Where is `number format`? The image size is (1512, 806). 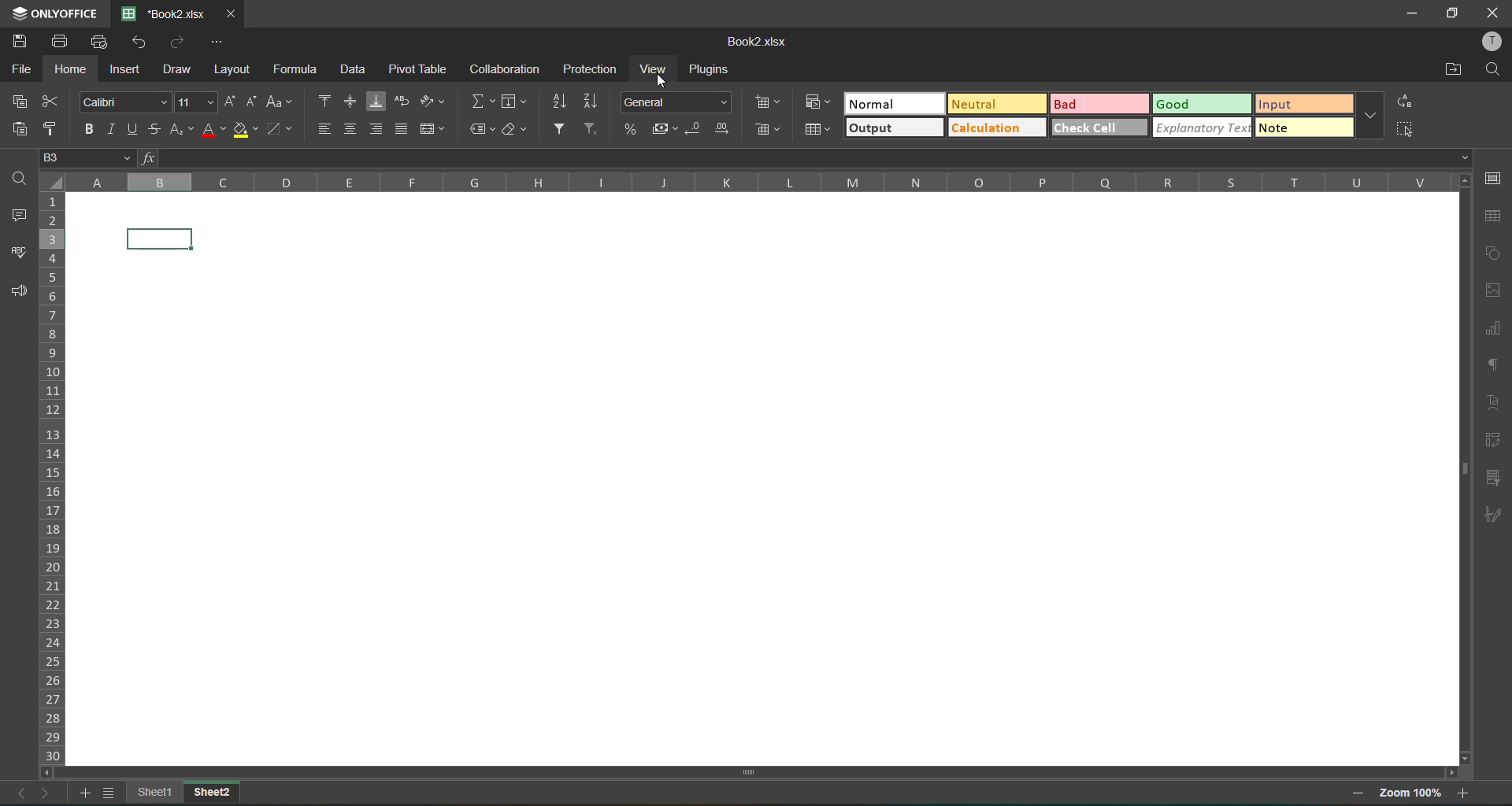 number format is located at coordinates (679, 101).